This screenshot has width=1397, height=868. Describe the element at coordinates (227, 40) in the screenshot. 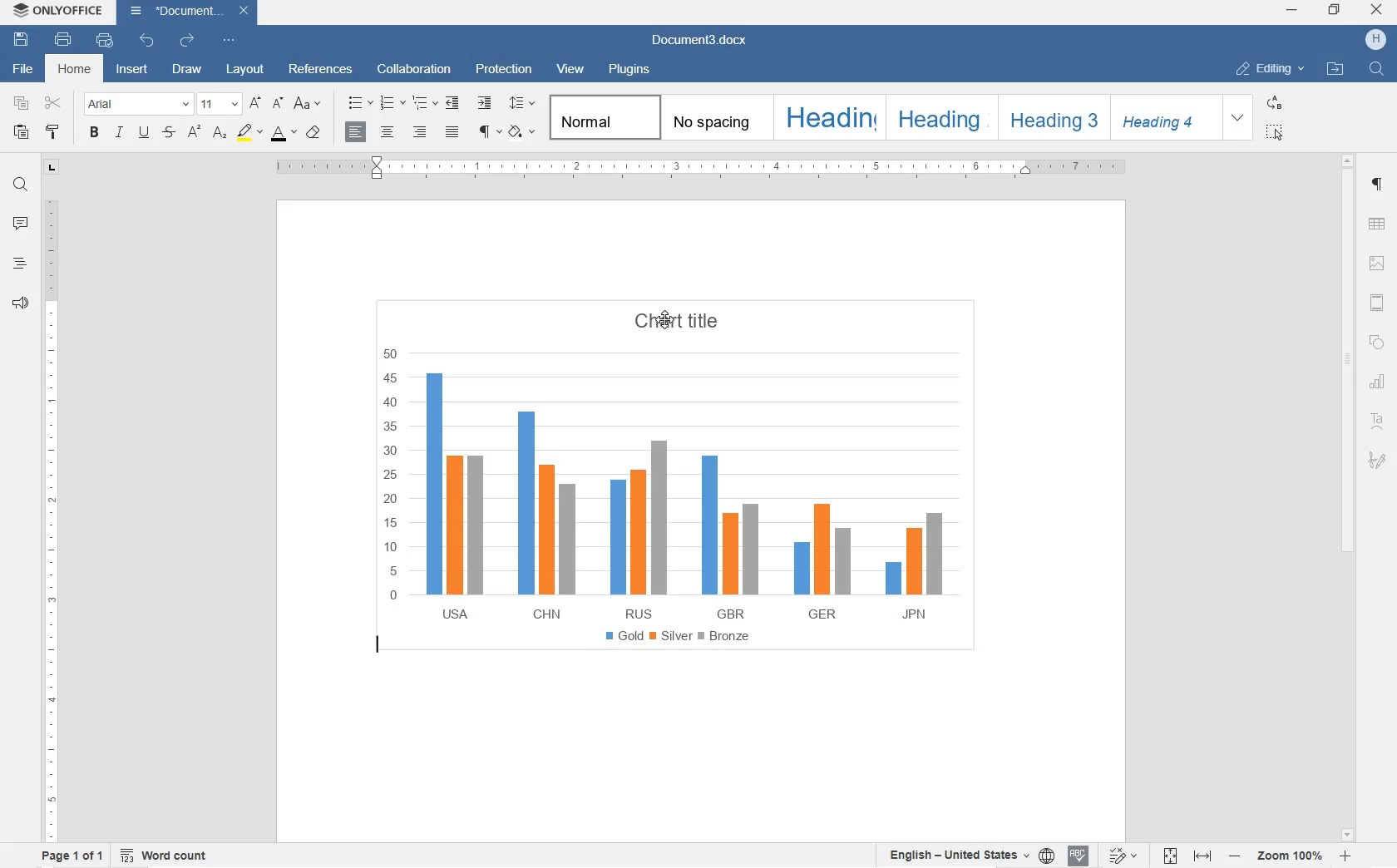

I see `CUSTOMIZE QUICK ACCESS TOOLBAR` at that location.